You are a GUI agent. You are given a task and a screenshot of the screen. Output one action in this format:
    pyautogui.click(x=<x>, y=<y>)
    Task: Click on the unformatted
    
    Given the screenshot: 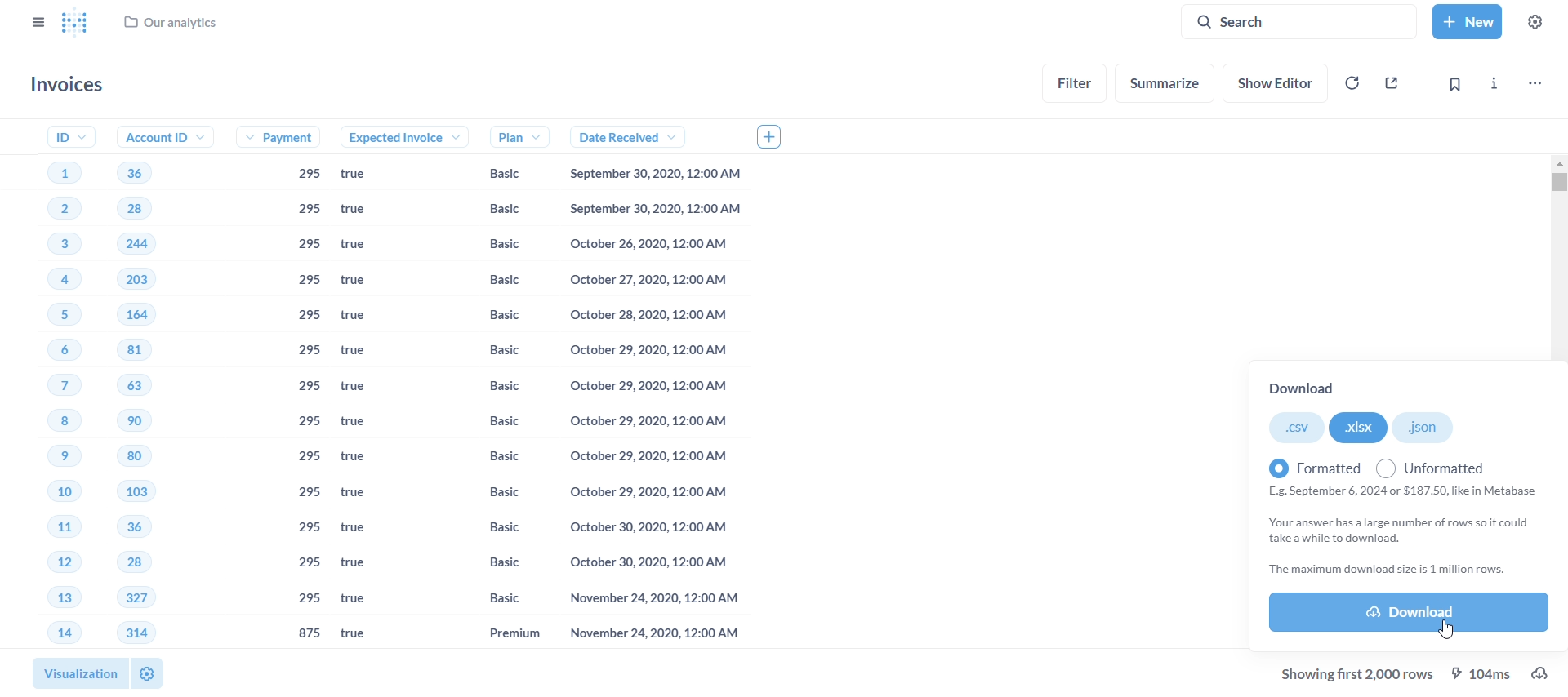 What is the action you would take?
    pyautogui.click(x=1443, y=466)
    